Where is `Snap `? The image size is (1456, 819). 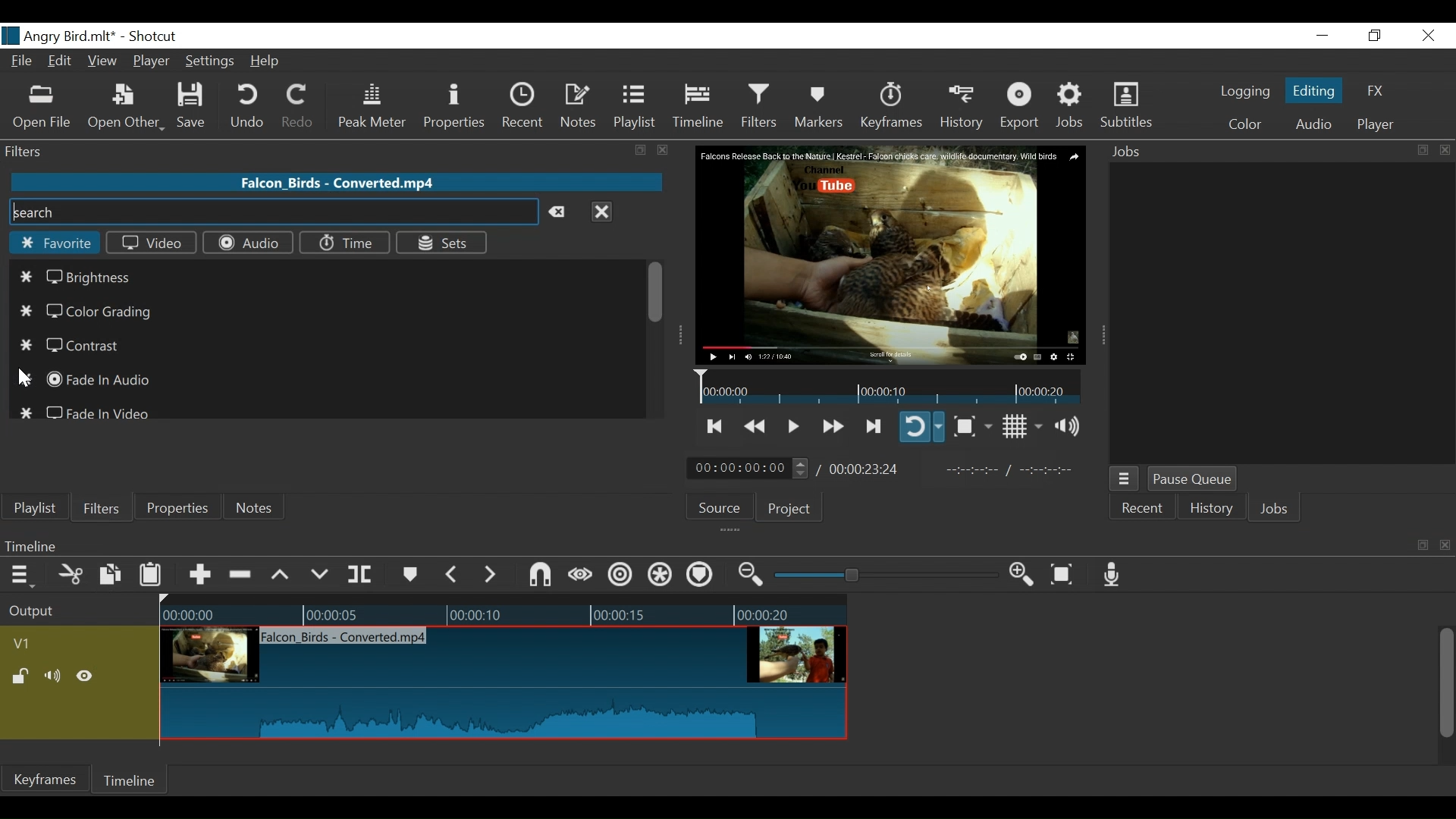 Snap  is located at coordinates (540, 576).